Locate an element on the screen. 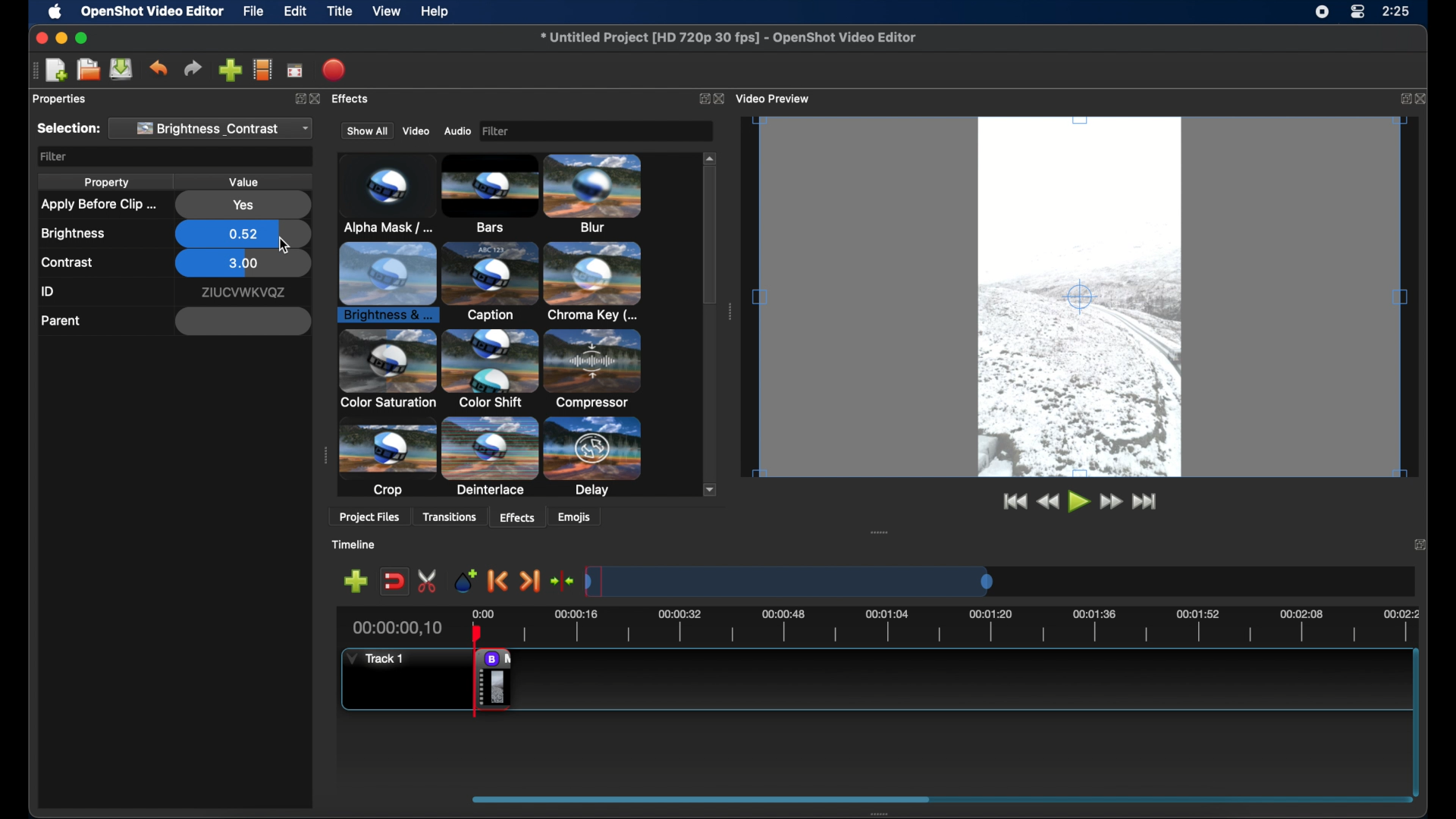  enable razor is located at coordinates (422, 581).